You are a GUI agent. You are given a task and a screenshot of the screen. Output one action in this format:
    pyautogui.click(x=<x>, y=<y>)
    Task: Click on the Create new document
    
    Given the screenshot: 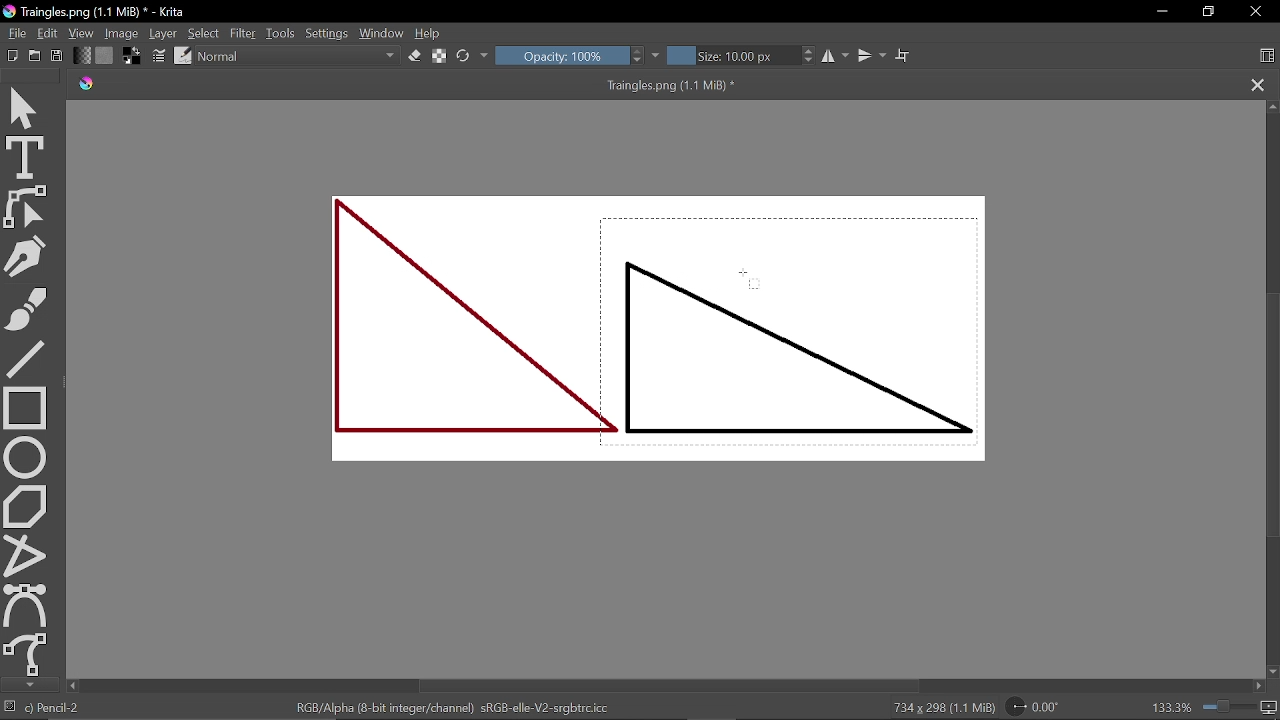 What is the action you would take?
    pyautogui.click(x=14, y=55)
    